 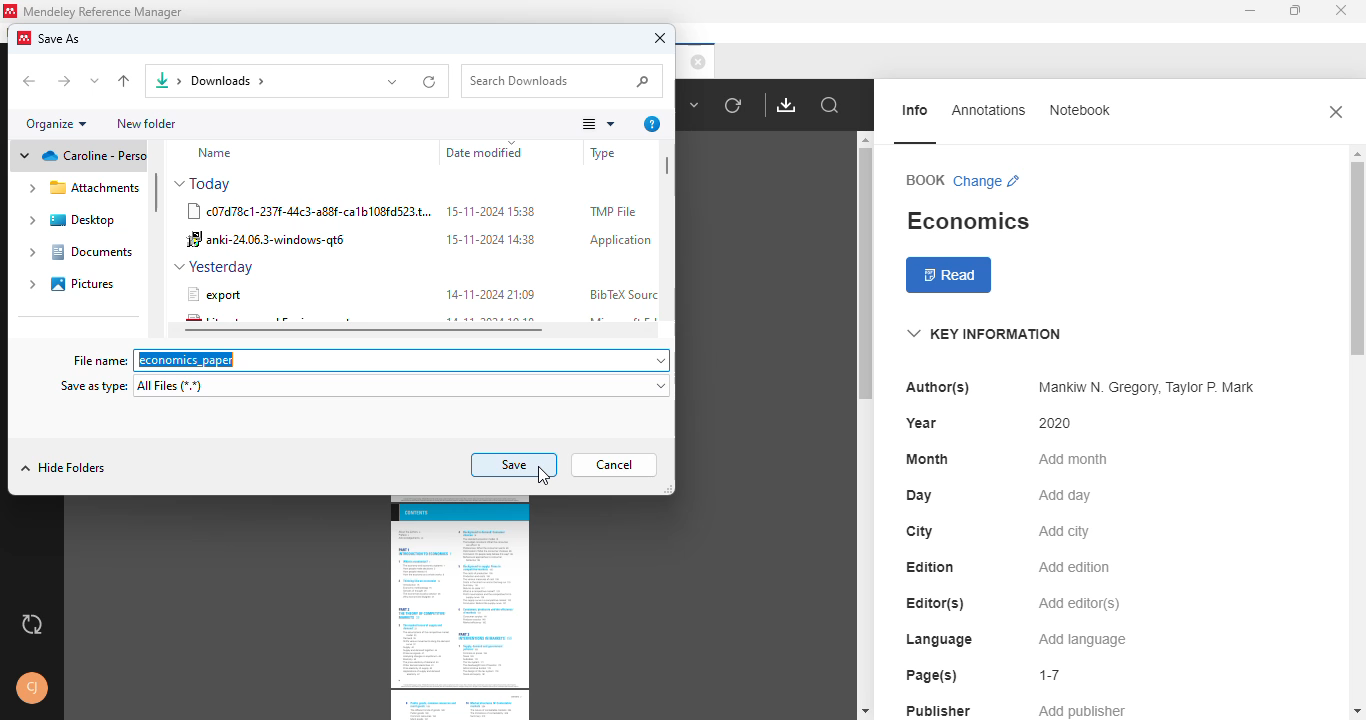 I want to click on vertical scroll bar, so click(x=157, y=192).